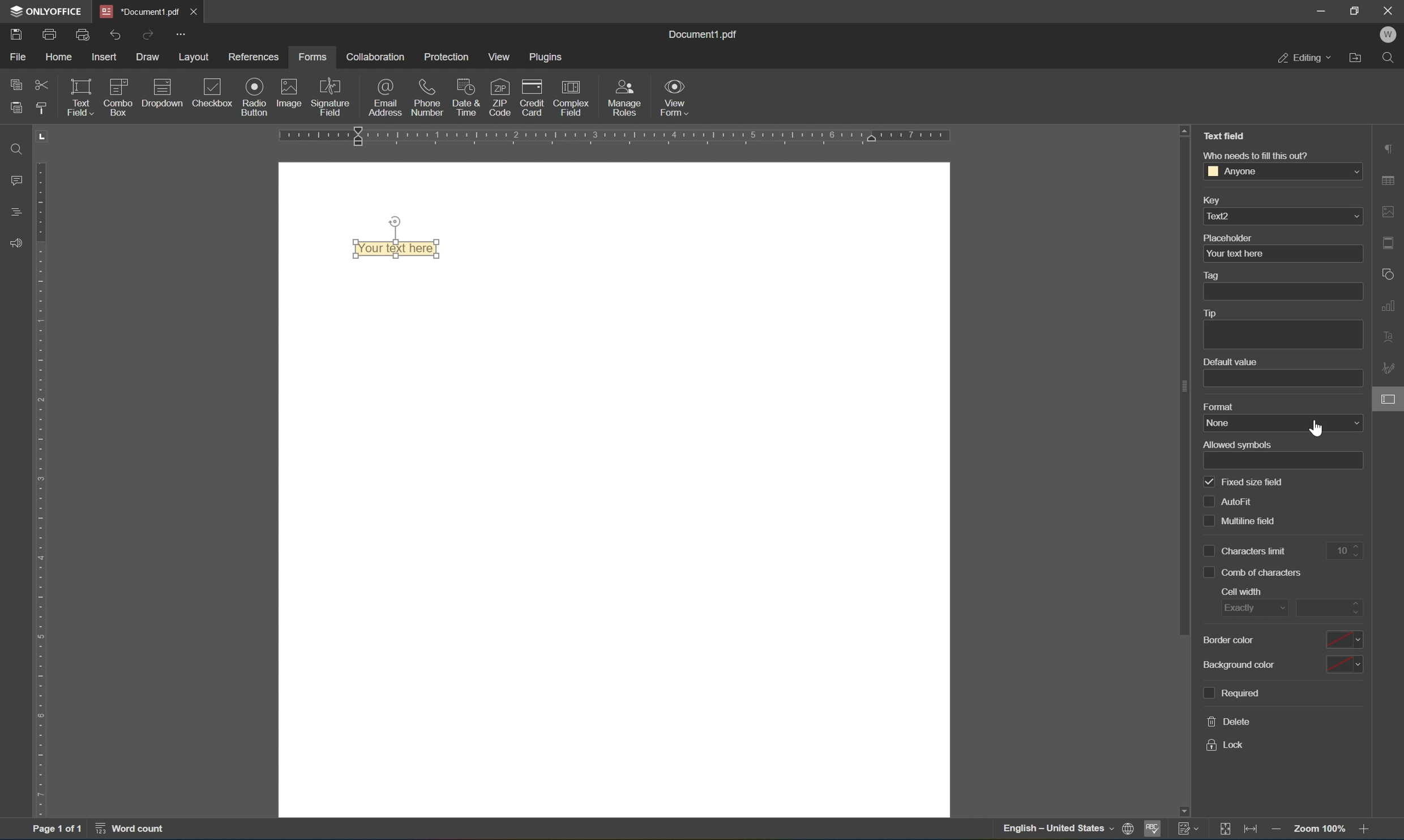 This screenshot has height=840, width=1404. I want to click on spell checking, so click(1154, 829).